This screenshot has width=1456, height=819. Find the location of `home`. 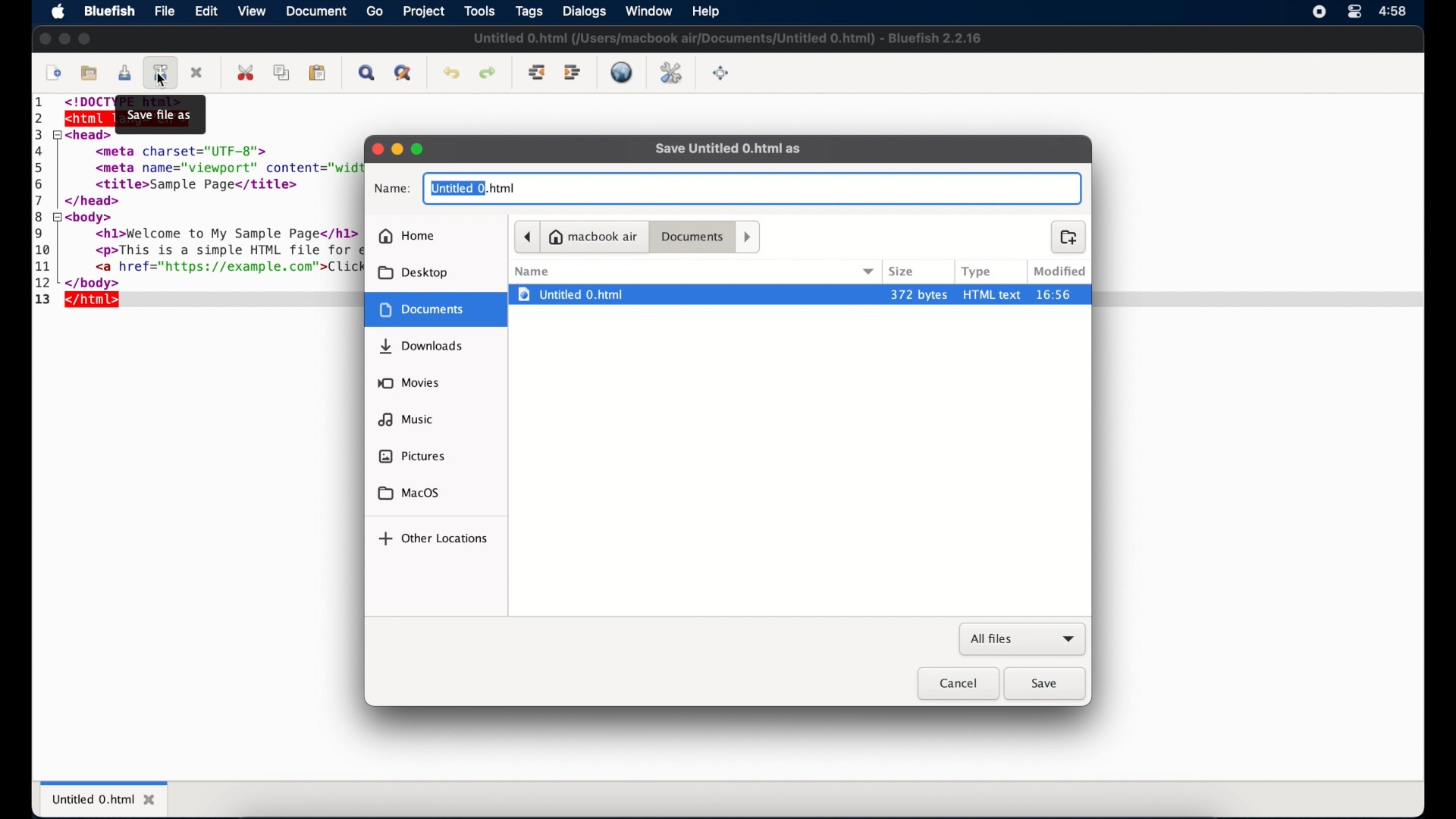

home is located at coordinates (406, 236).